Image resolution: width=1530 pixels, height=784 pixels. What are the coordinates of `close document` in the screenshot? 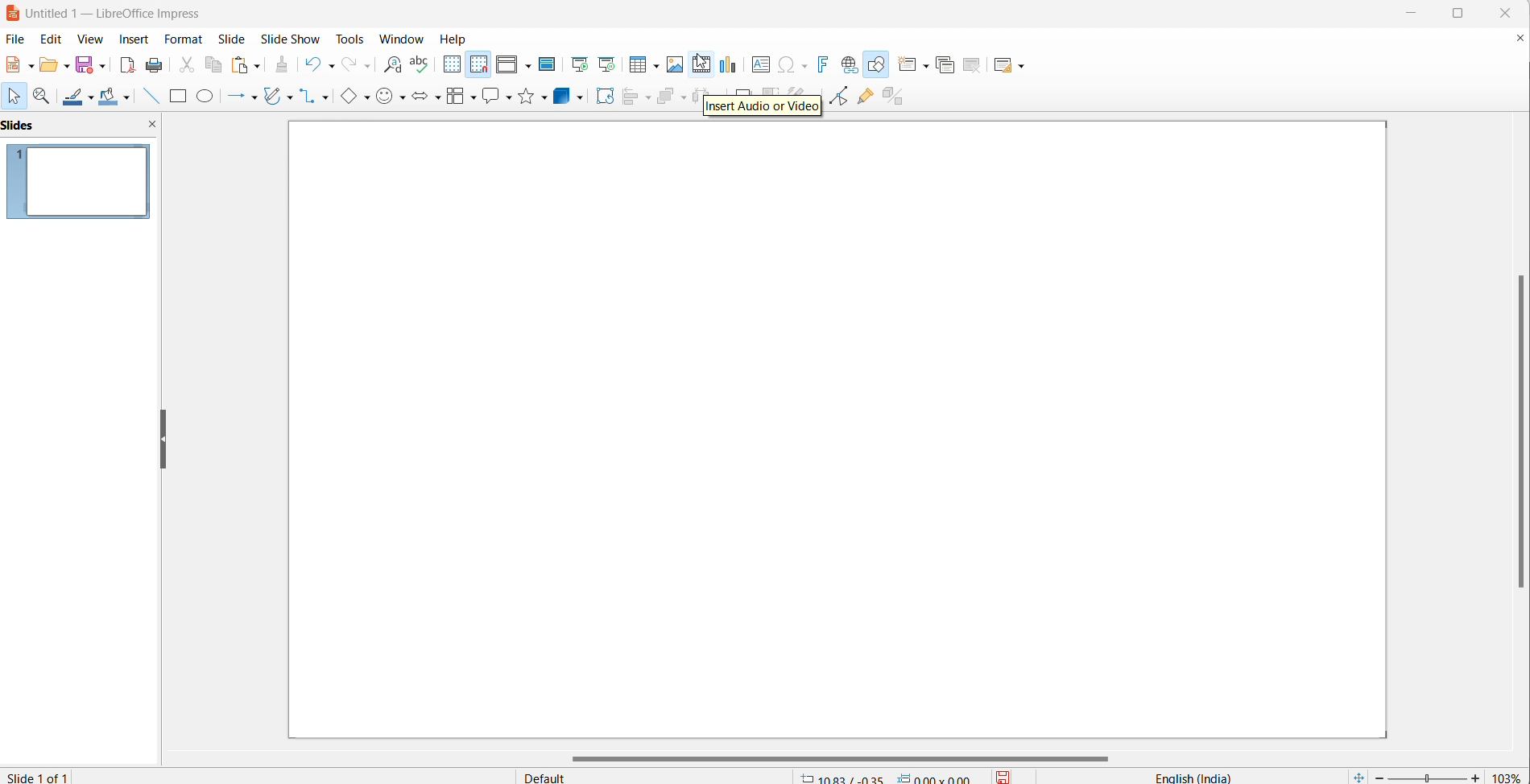 It's located at (1517, 41).